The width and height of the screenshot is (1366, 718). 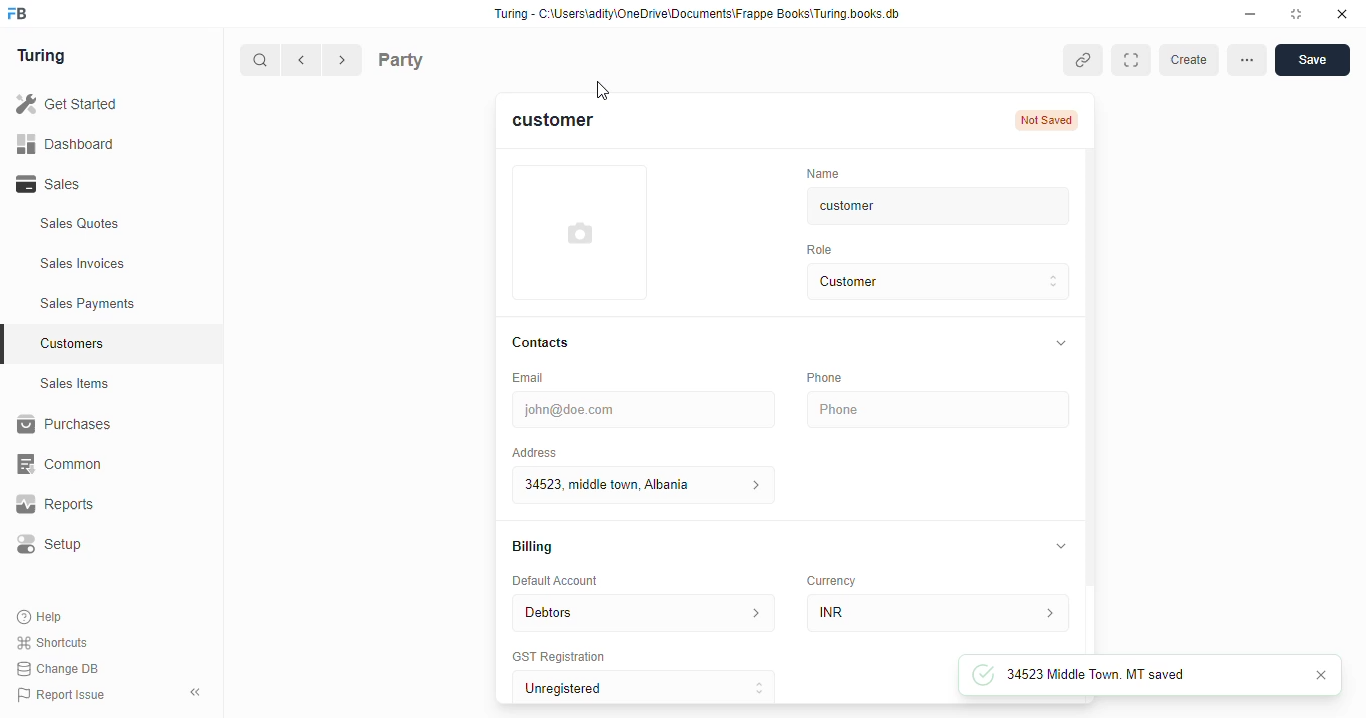 What do you see at coordinates (117, 264) in the screenshot?
I see `Sales Invoices` at bounding box center [117, 264].